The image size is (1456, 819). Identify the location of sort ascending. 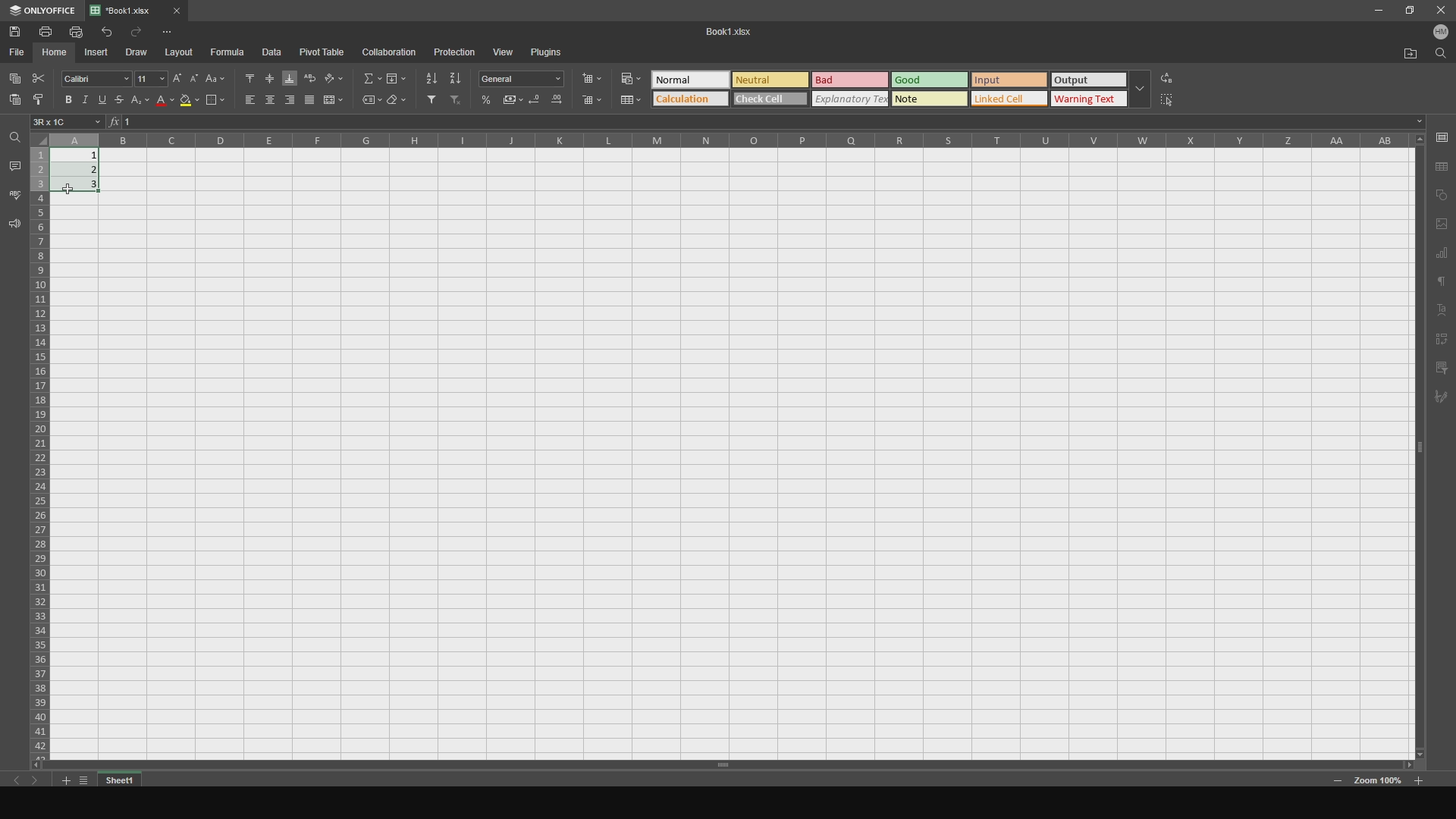
(428, 76).